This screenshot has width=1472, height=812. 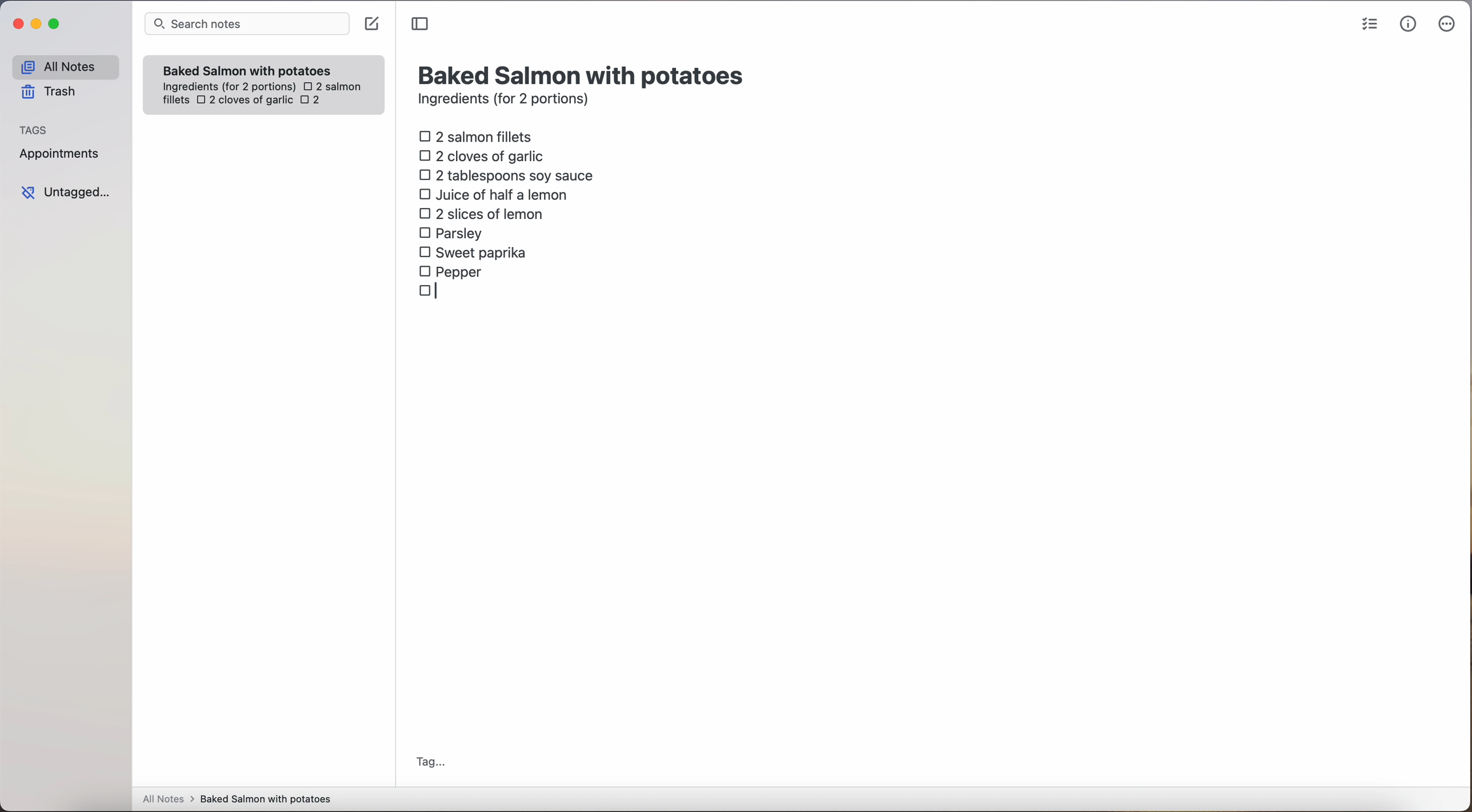 I want to click on appointments tag, so click(x=61, y=151).